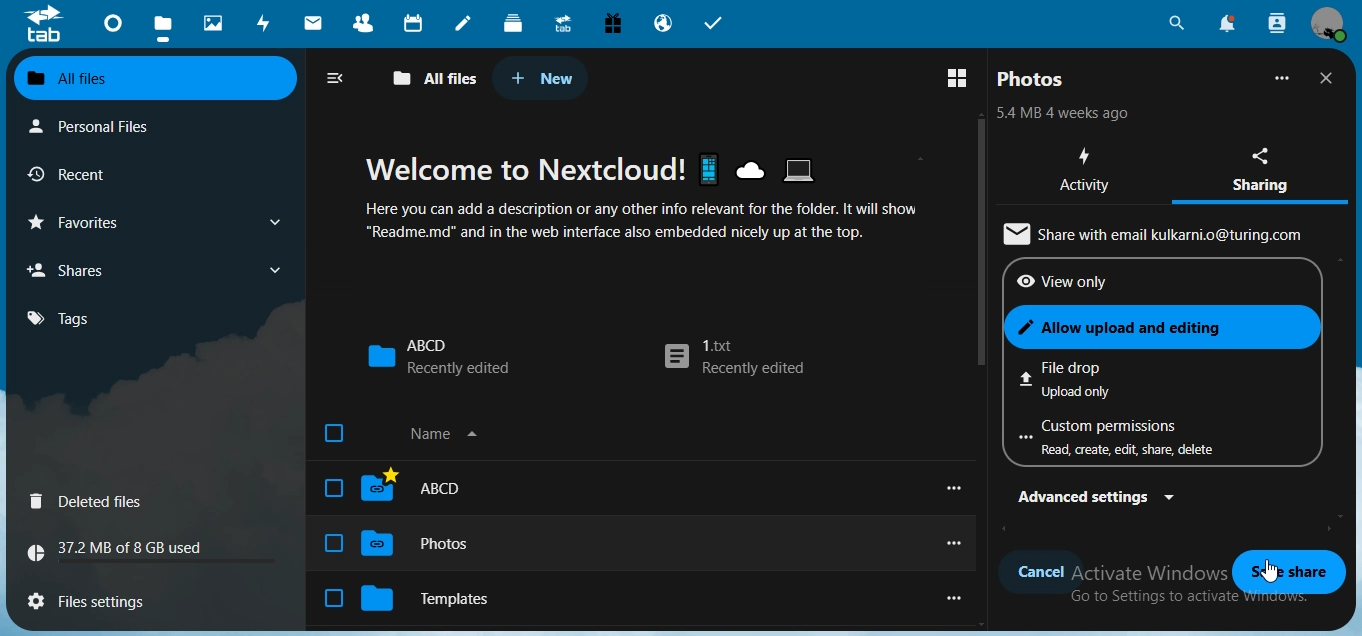 The height and width of the screenshot is (636, 1362). What do you see at coordinates (1158, 326) in the screenshot?
I see `allow upload and editing` at bounding box center [1158, 326].